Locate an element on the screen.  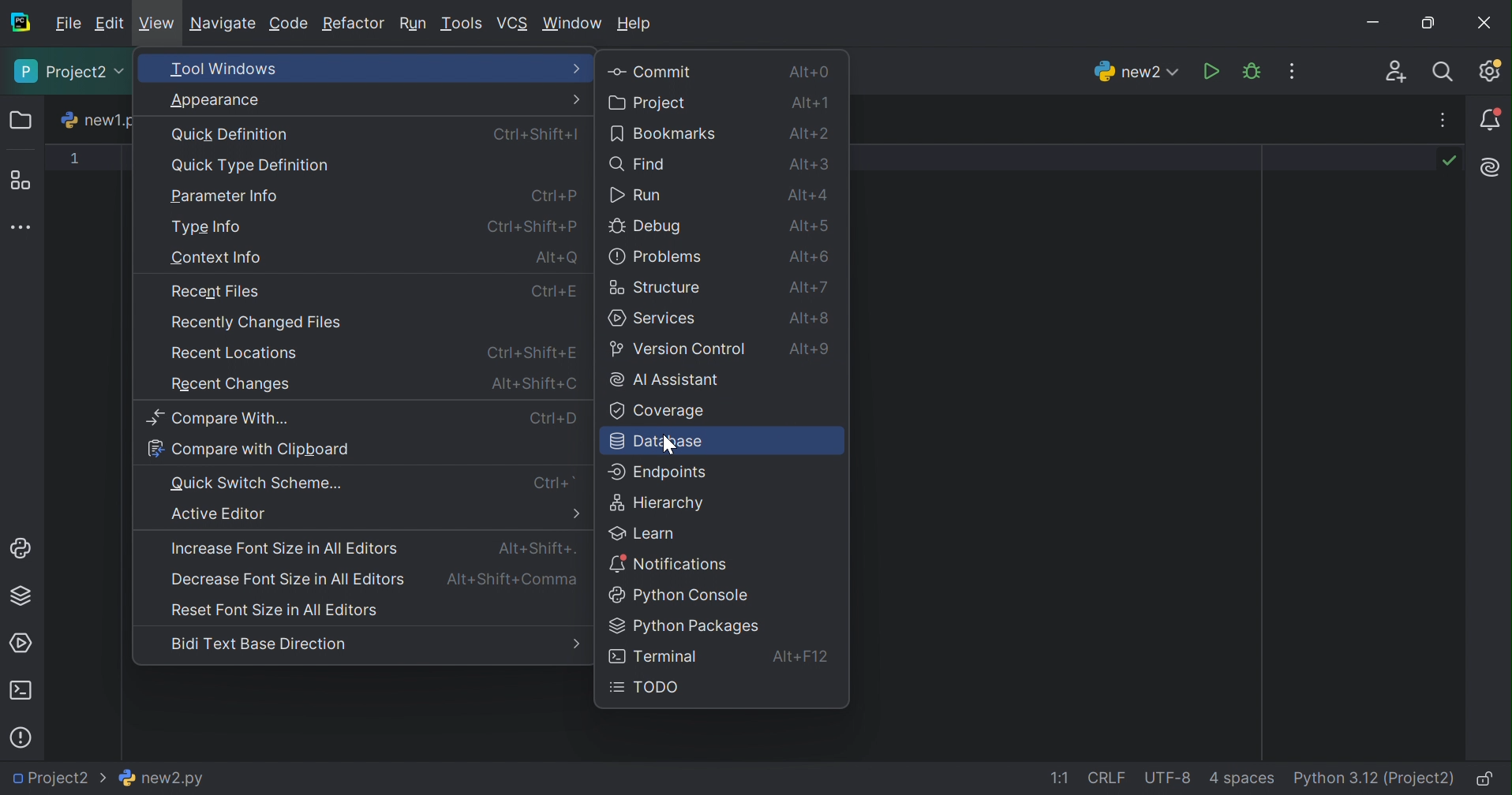
Recent locations is located at coordinates (233, 353).